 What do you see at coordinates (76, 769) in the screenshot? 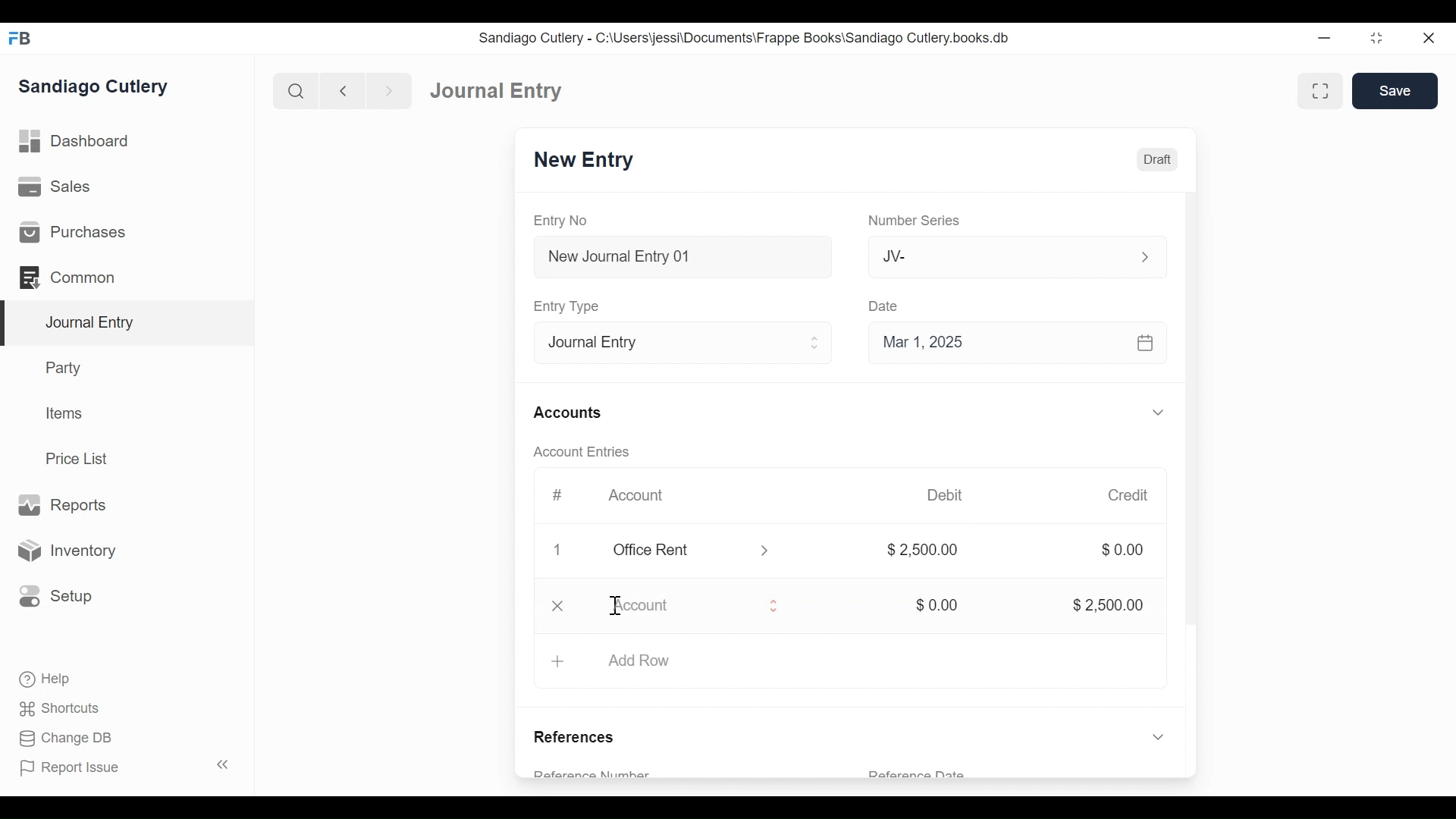
I see `Report Issue` at bounding box center [76, 769].